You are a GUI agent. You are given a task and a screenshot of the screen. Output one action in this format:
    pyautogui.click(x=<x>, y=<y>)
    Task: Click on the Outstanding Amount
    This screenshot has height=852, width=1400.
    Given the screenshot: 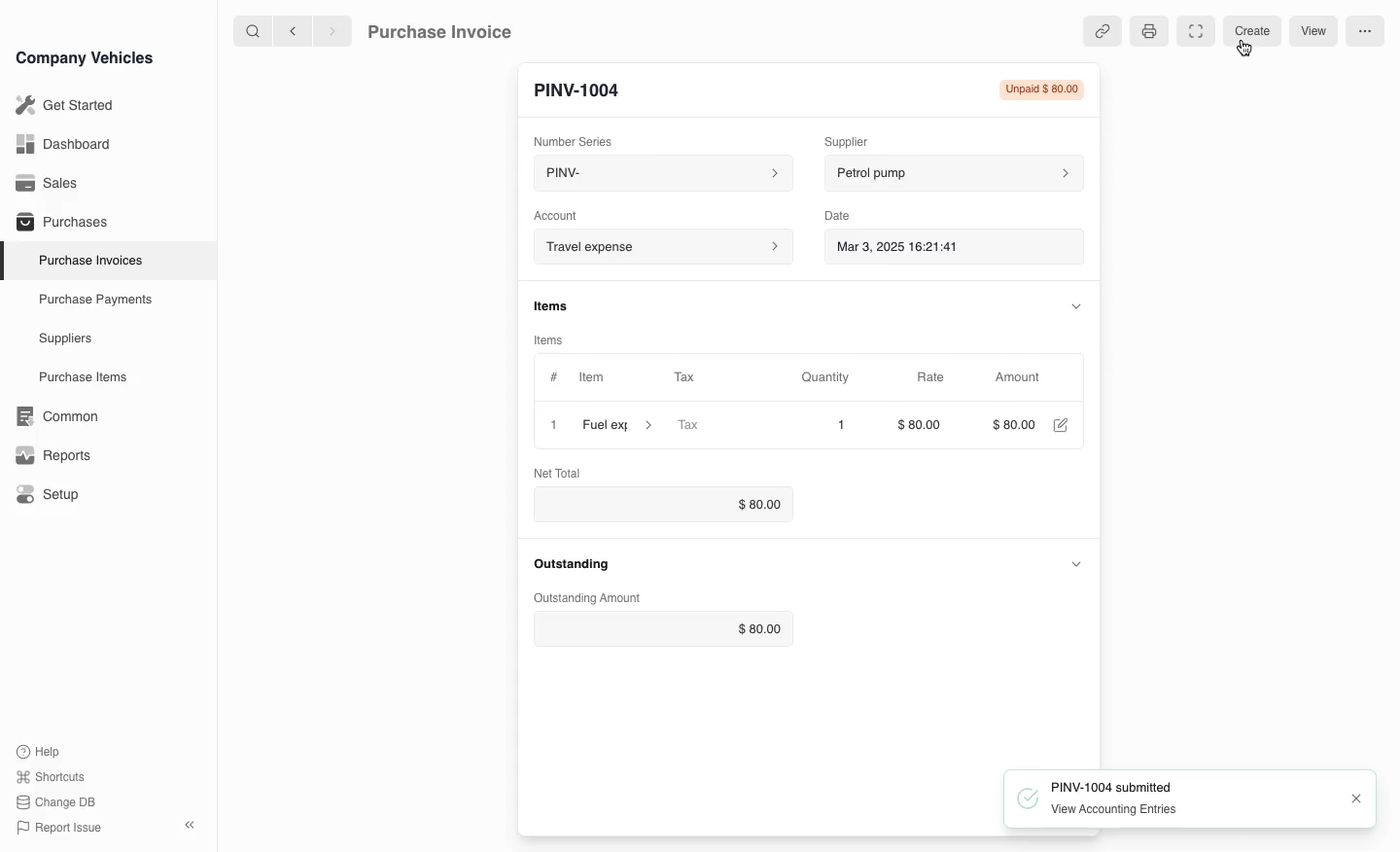 What is the action you would take?
    pyautogui.click(x=589, y=596)
    